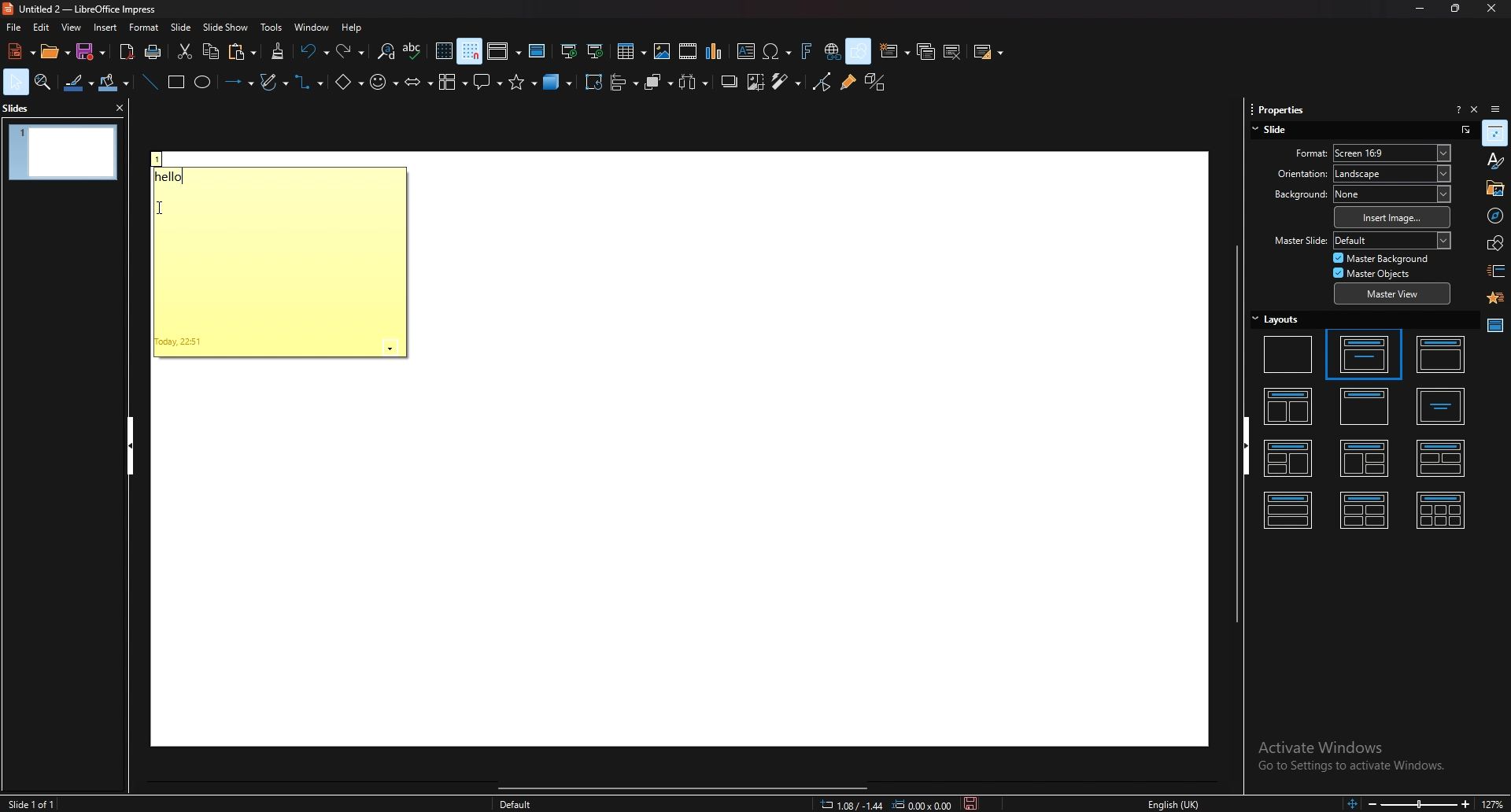  I want to click on insert fontwork text, so click(807, 51).